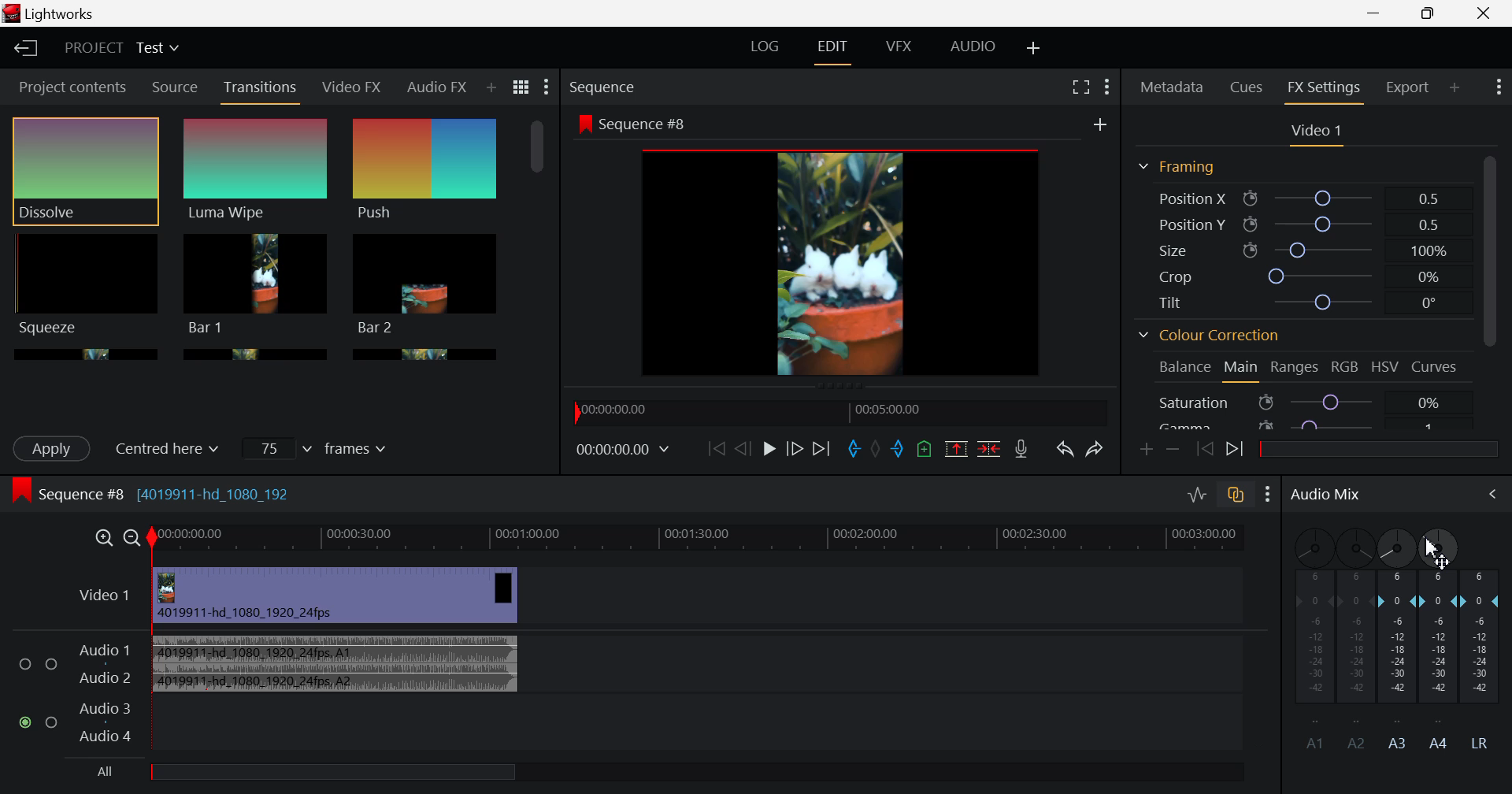 This screenshot has width=1512, height=794. Describe the element at coordinates (114, 538) in the screenshot. I see `Timeline Zoom In/Out` at that location.